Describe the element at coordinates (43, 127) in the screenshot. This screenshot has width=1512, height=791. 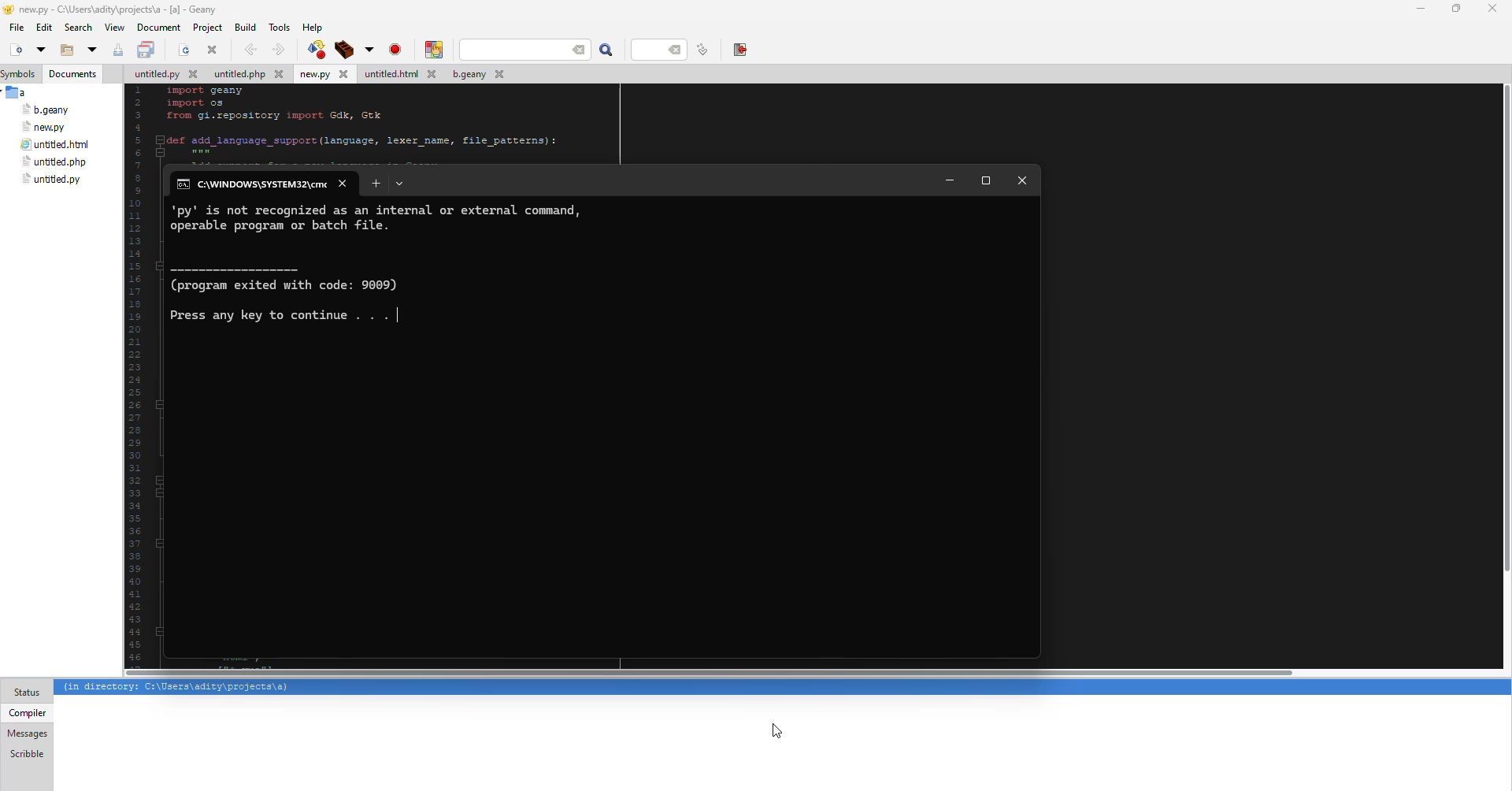
I see `file` at that location.